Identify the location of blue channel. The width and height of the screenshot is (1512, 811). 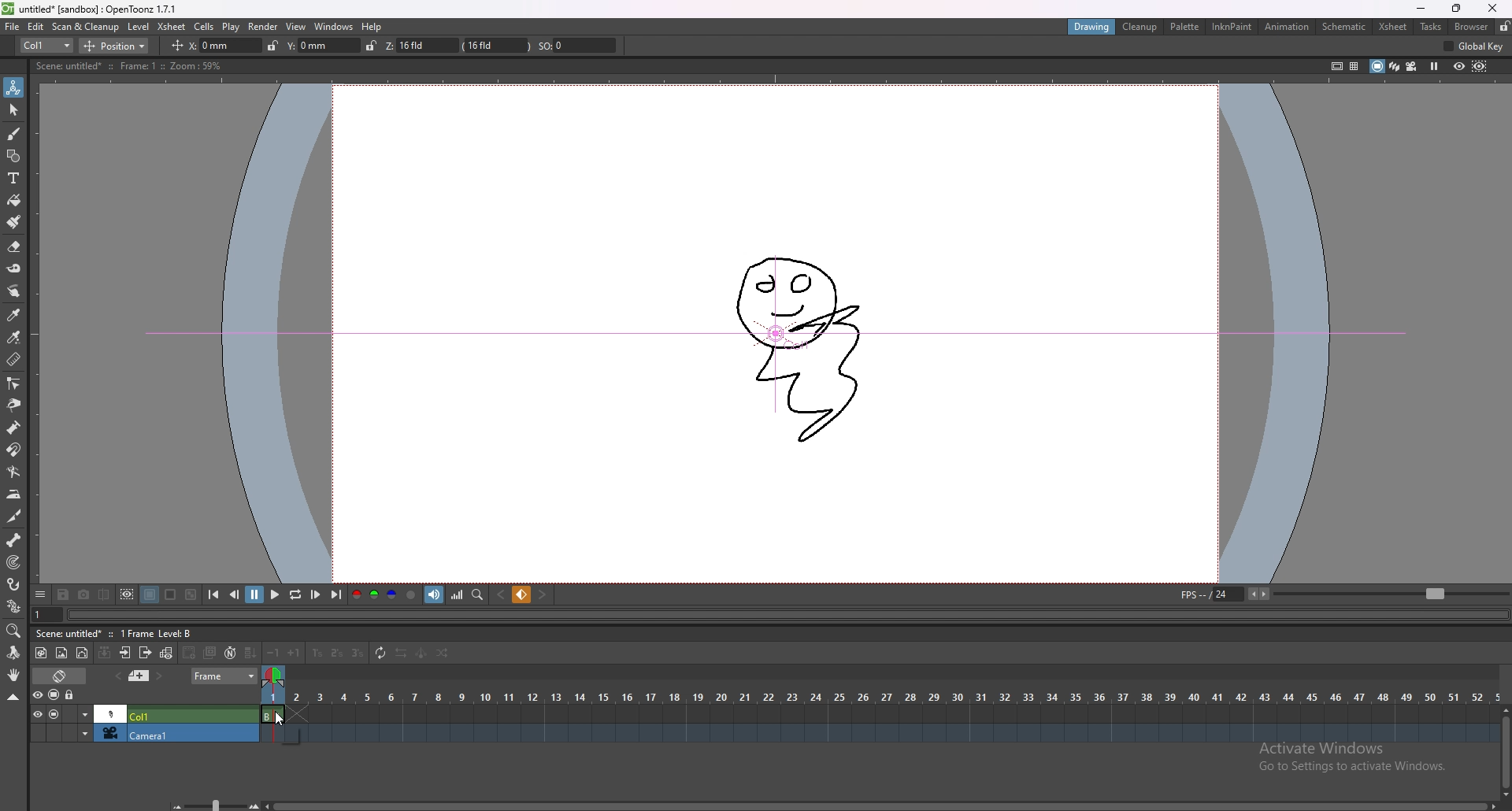
(391, 594).